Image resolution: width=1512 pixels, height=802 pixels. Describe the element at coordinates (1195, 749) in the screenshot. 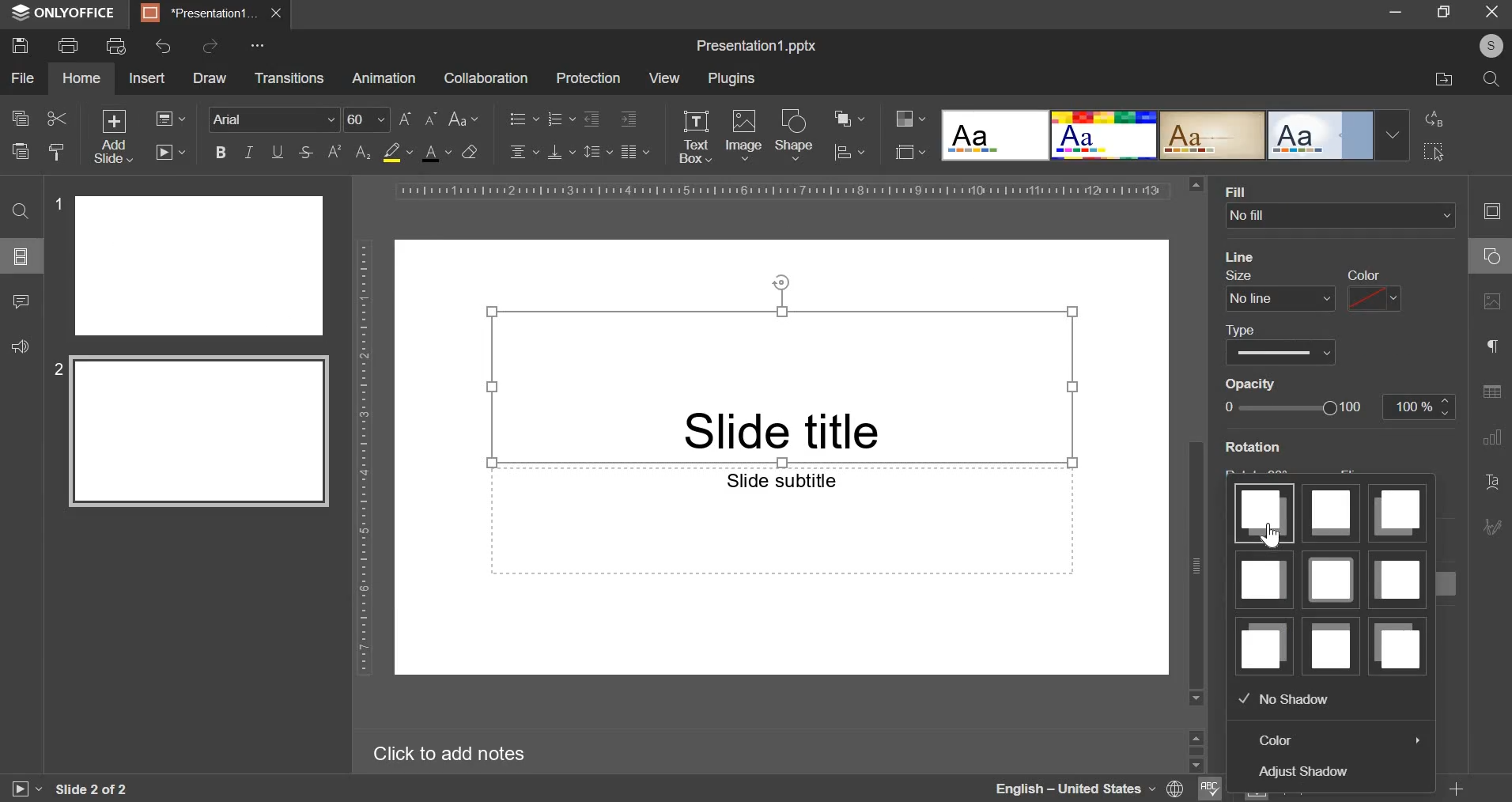

I see `slider` at that location.